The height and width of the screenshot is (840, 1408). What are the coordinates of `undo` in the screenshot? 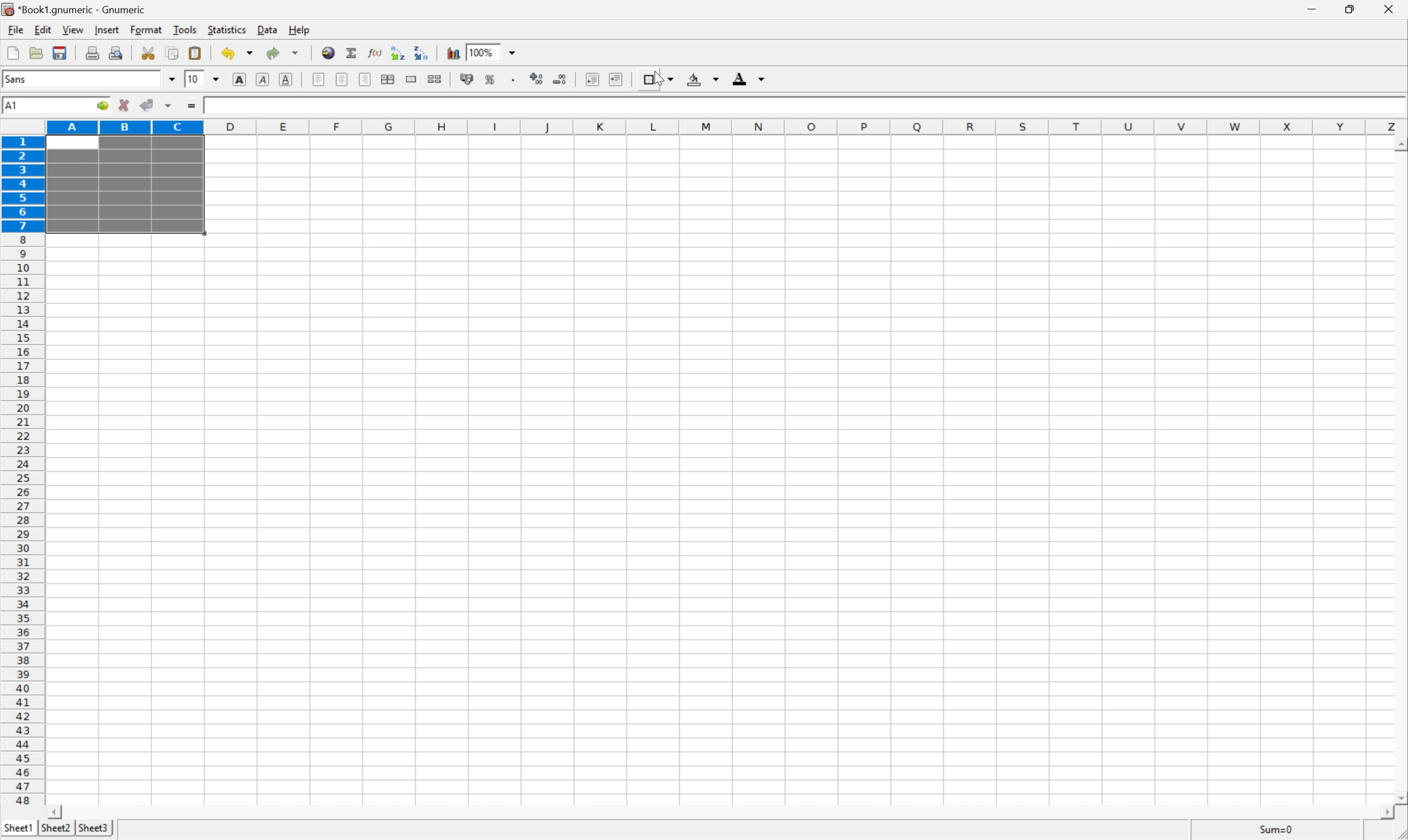 It's located at (236, 53).